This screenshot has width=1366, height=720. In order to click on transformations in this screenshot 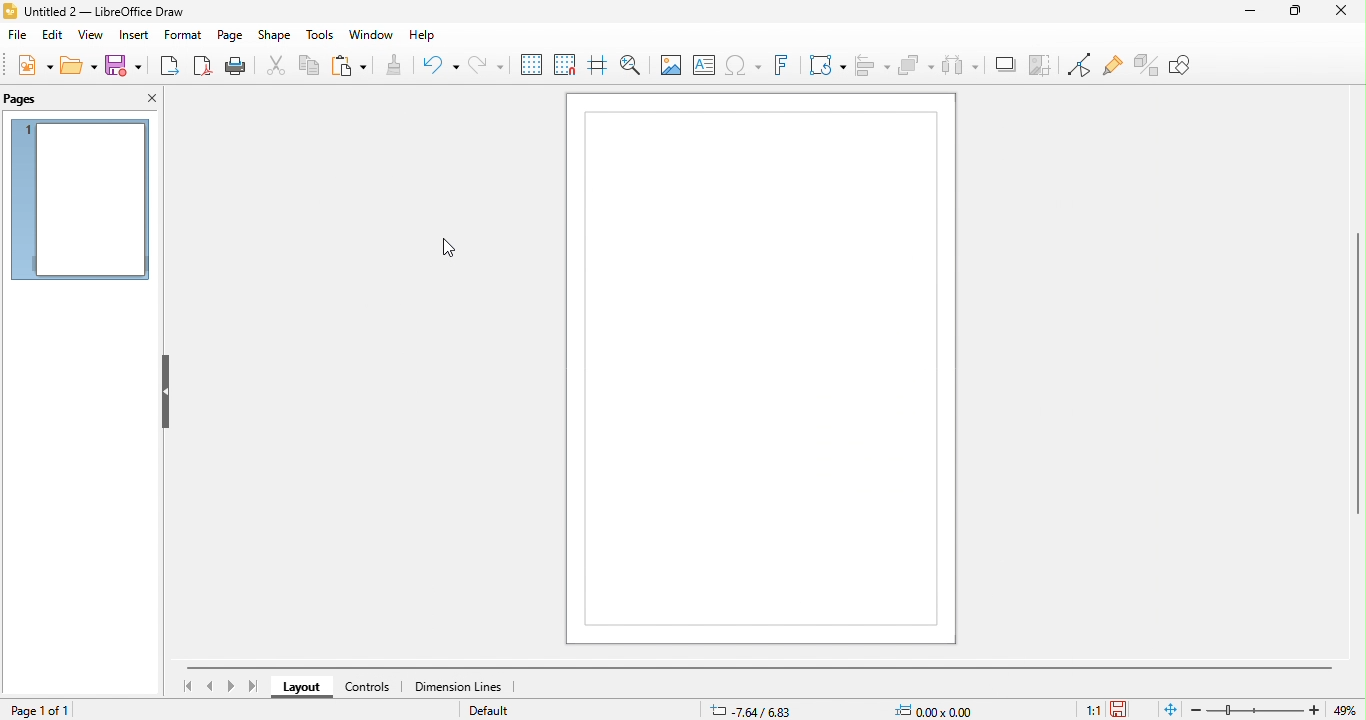, I will do `click(826, 65)`.